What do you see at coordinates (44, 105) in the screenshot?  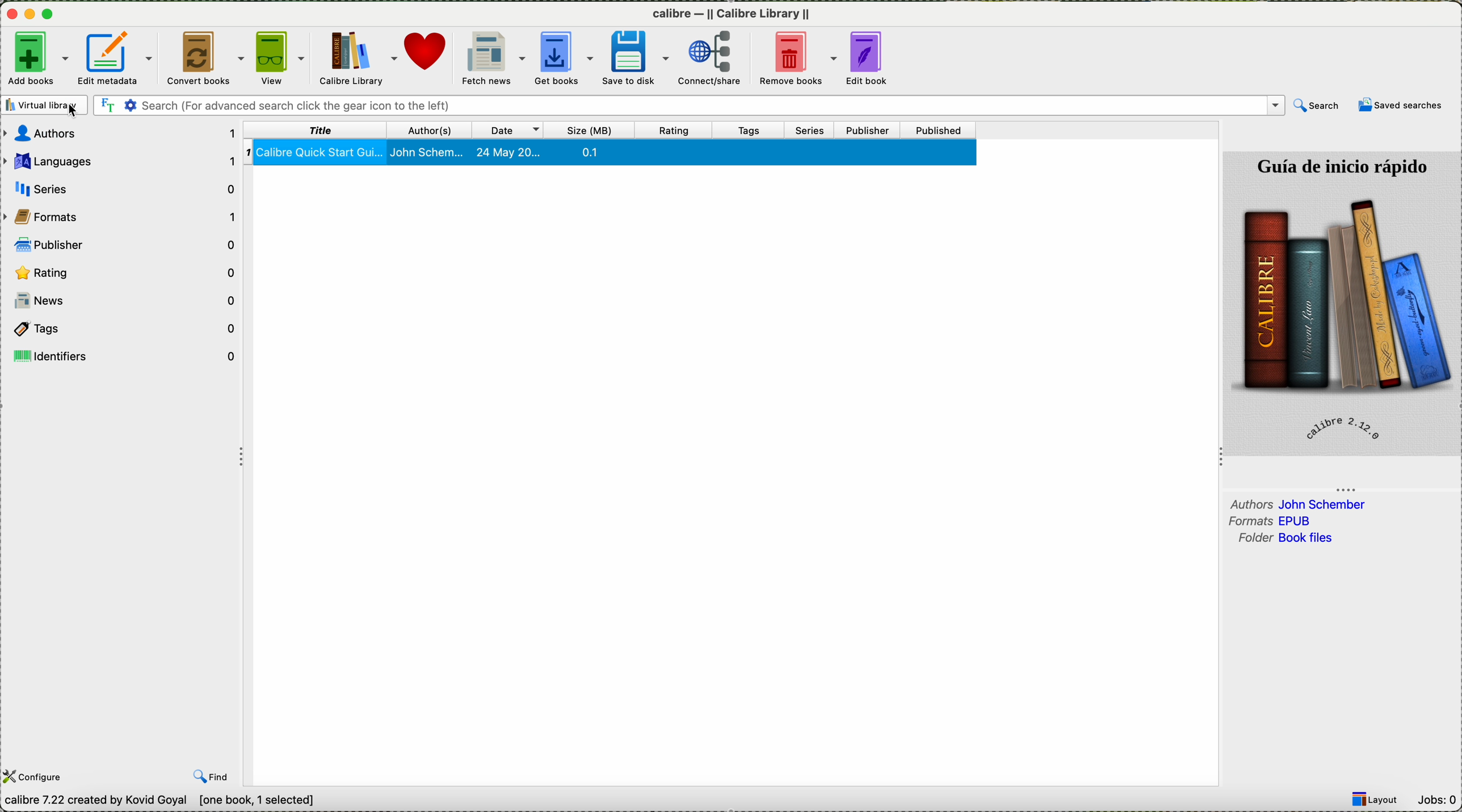 I see `click on virtual library` at bounding box center [44, 105].